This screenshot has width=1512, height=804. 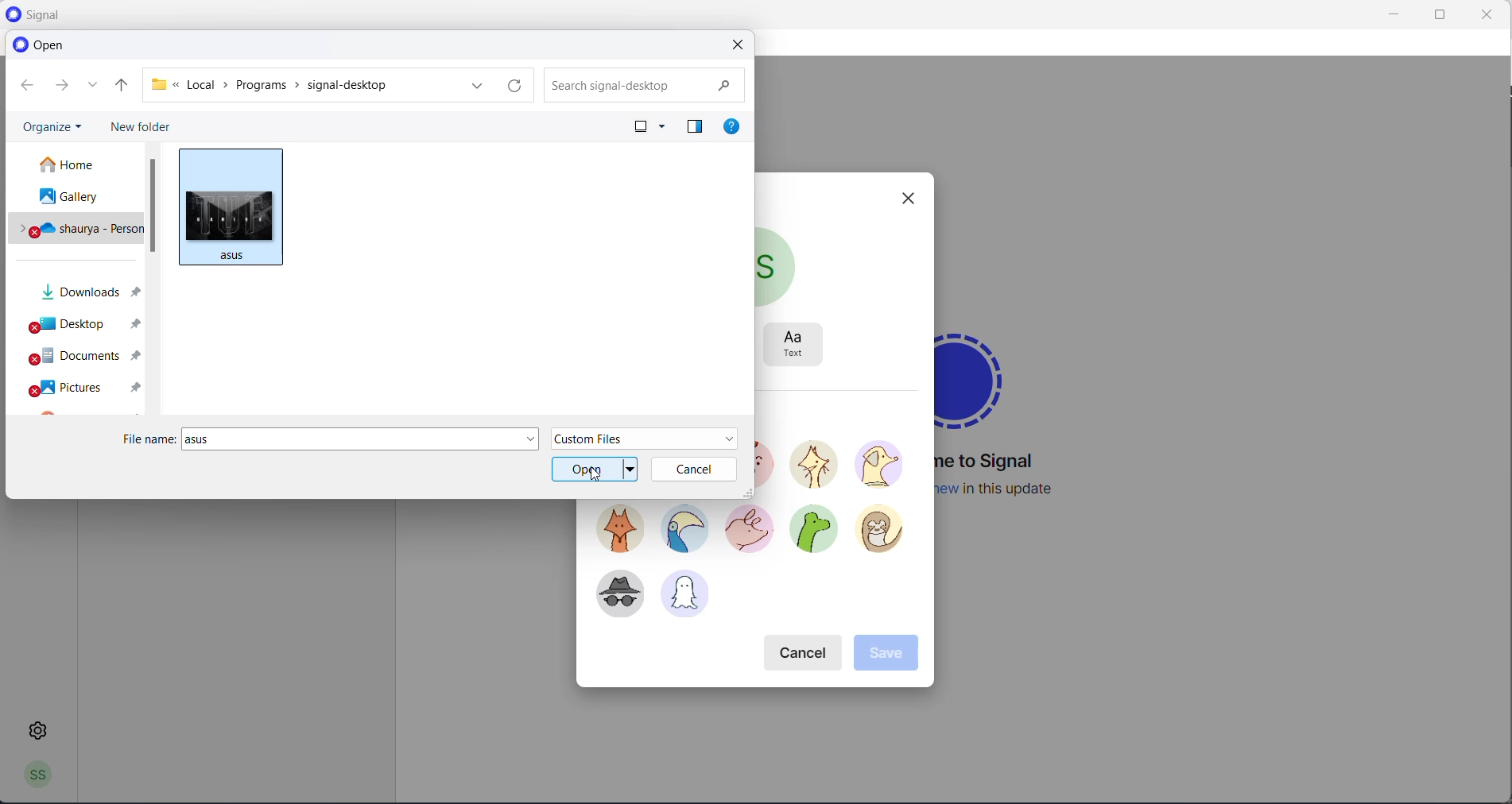 I want to click on gallery, so click(x=76, y=198).